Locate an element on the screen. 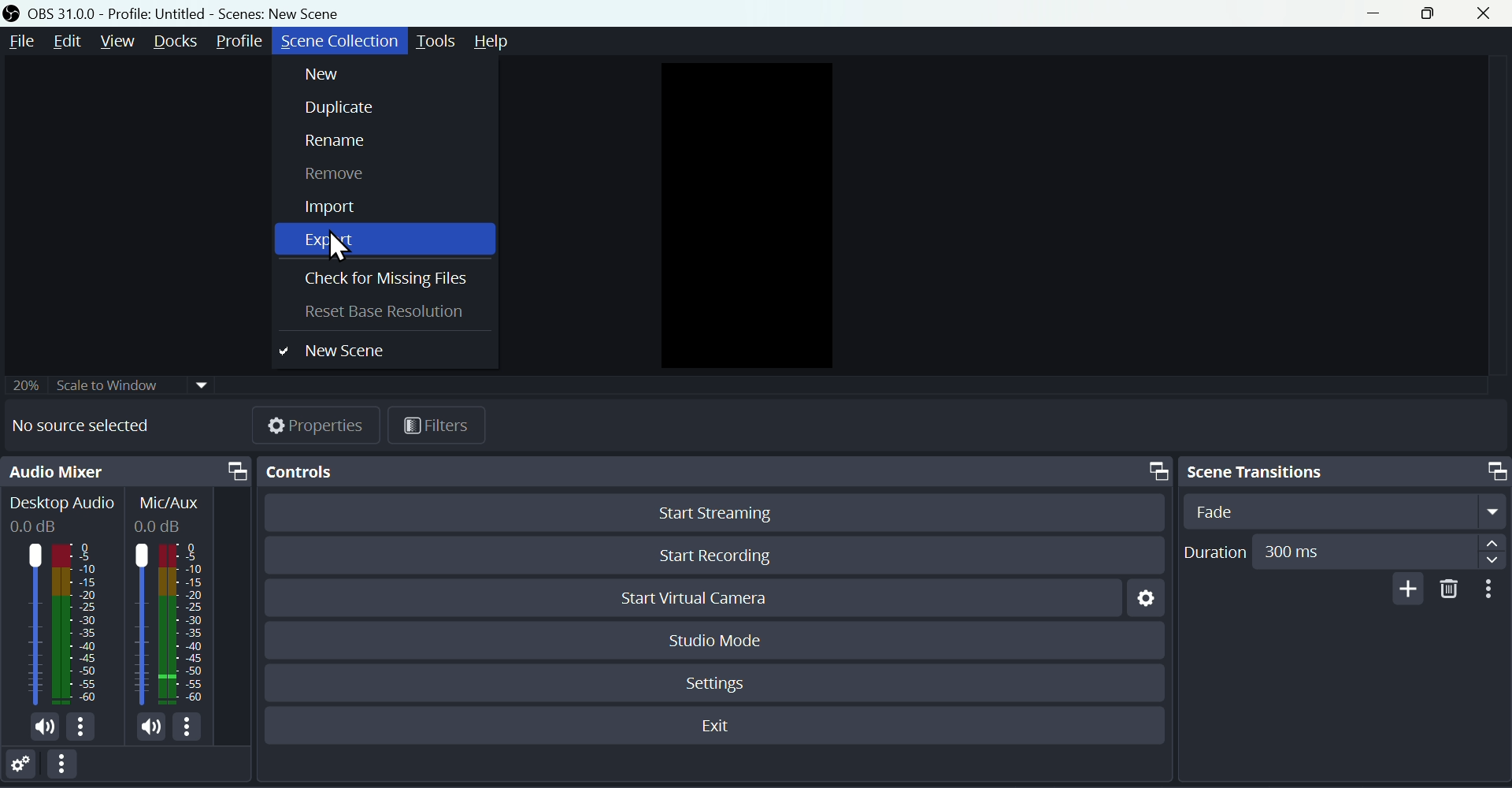 The width and height of the screenshot is (1512, 788). volume is located at coordinates (142, 726).